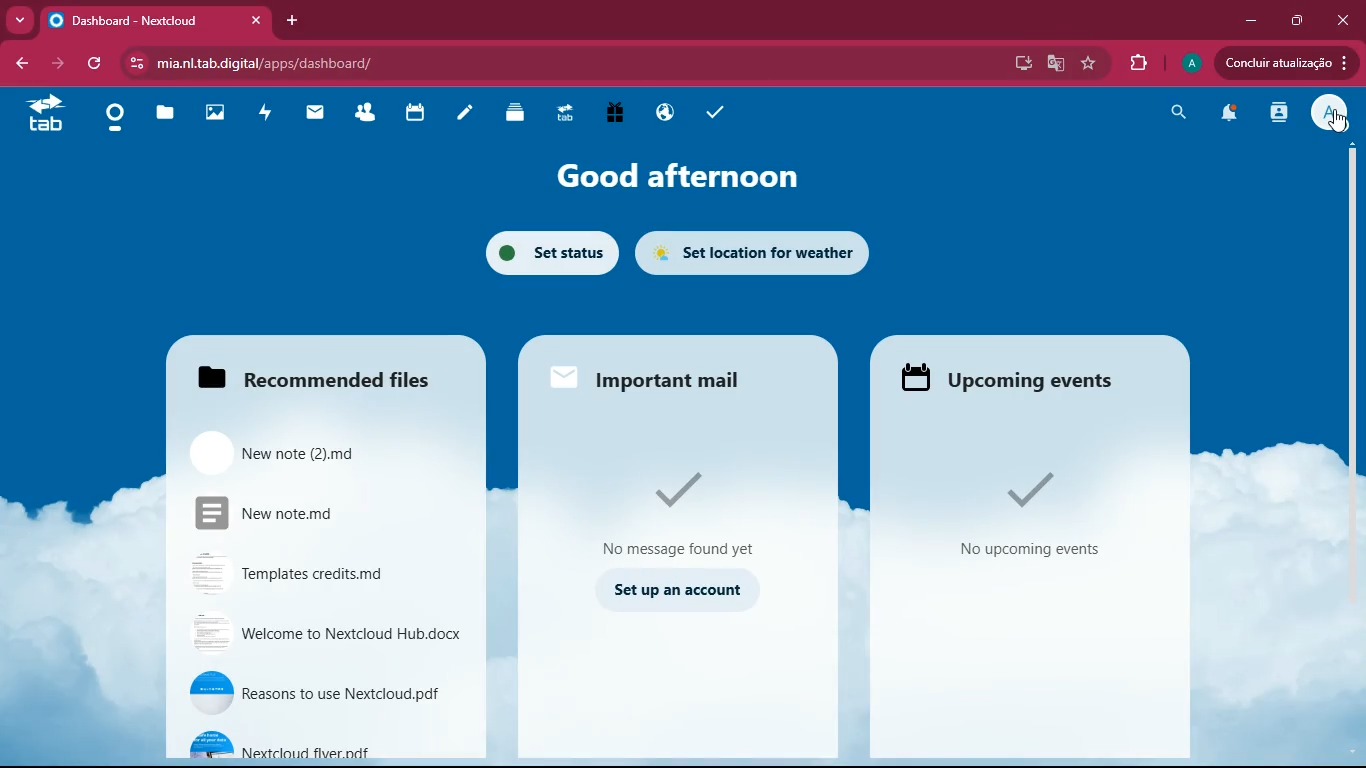  Describe the element at coordinates (57, 66) in the screenshot. I see `back` at that location.